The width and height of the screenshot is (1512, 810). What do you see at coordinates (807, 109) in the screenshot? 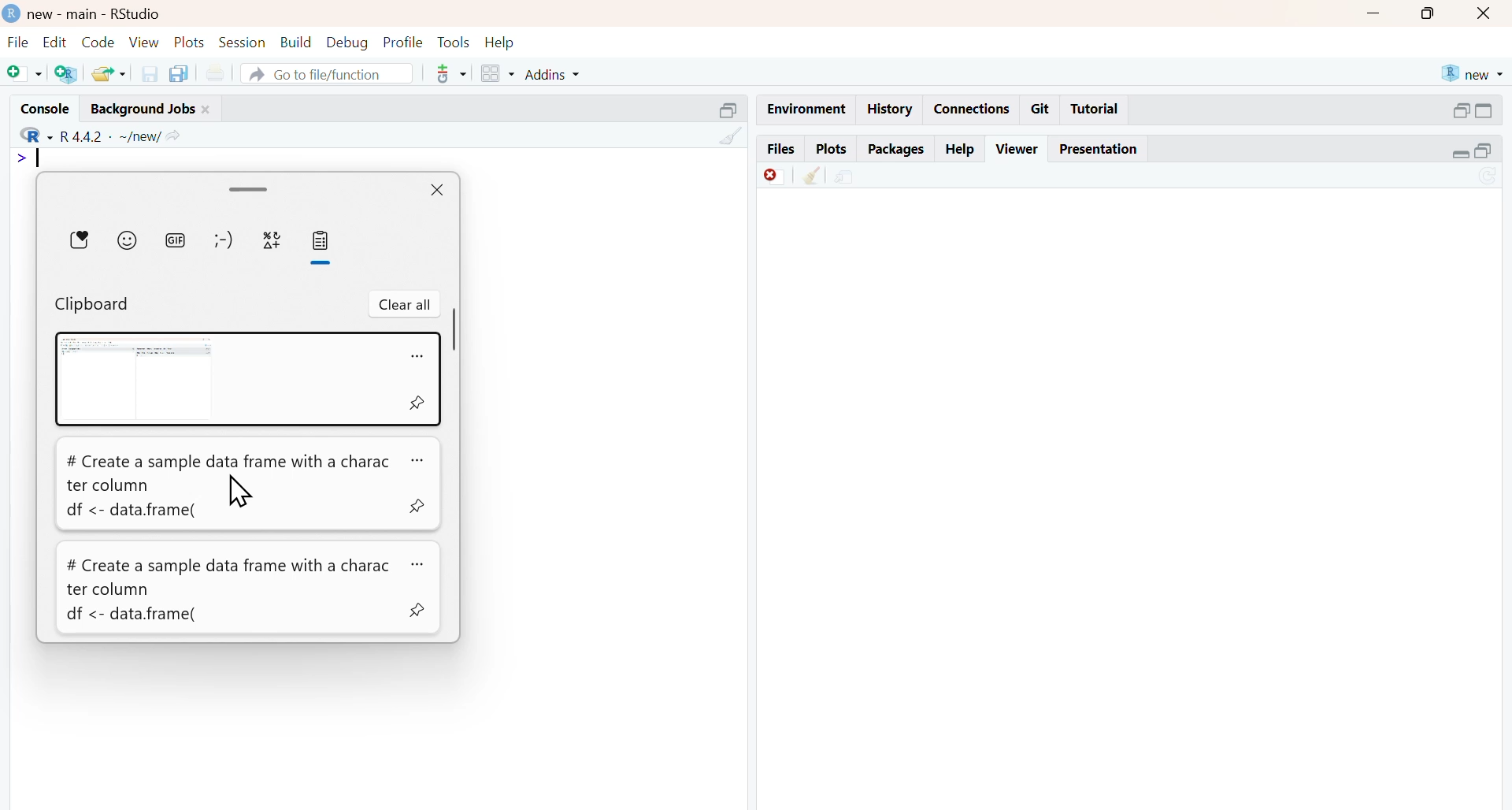
I see `Environment ` at bounding box center [807, 109].